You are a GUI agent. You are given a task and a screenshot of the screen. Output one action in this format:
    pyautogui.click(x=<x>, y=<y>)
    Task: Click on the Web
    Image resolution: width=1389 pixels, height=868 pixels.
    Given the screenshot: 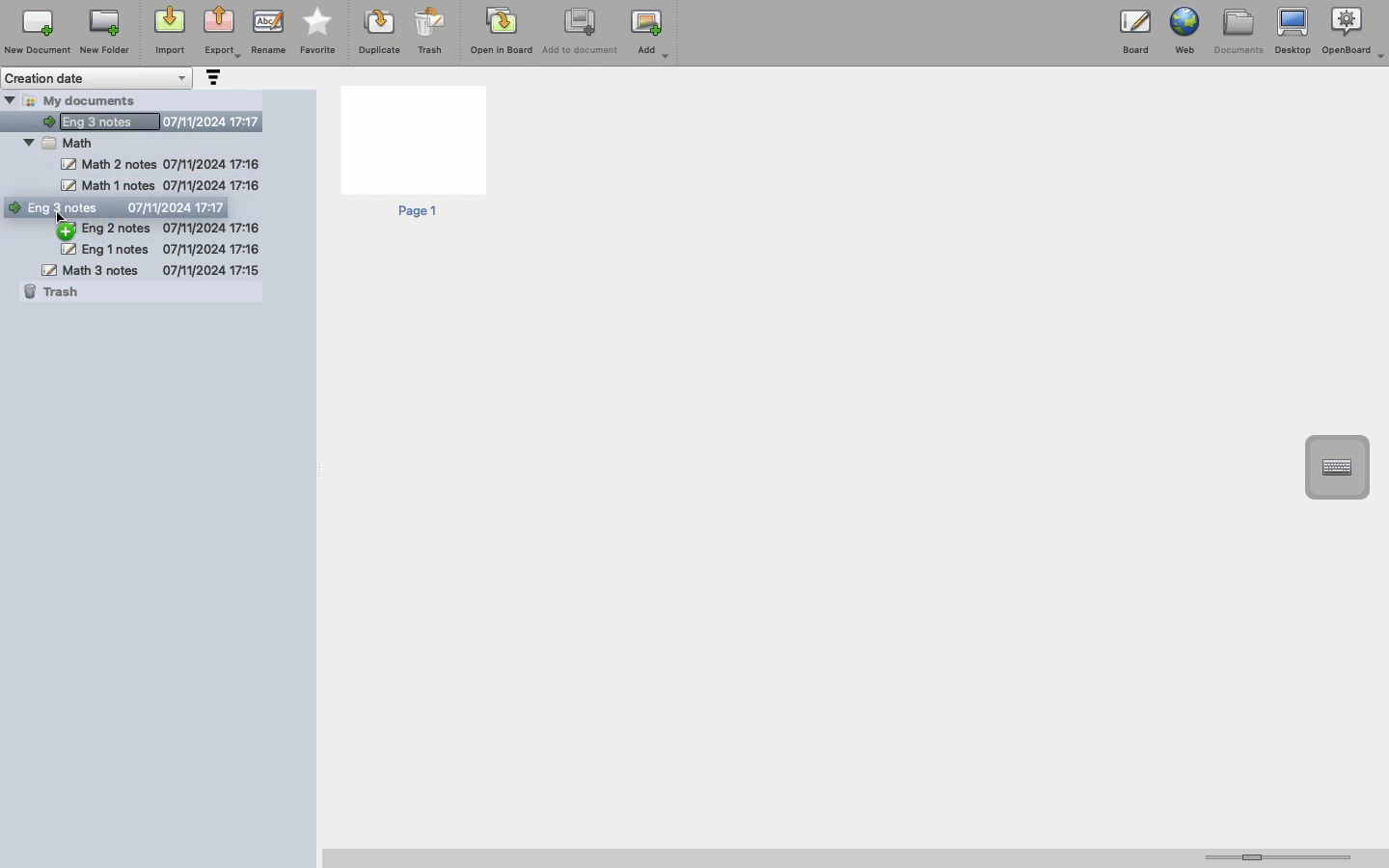 What is the action you would take?
    pyautogui.click(x=1183, y=31)
    